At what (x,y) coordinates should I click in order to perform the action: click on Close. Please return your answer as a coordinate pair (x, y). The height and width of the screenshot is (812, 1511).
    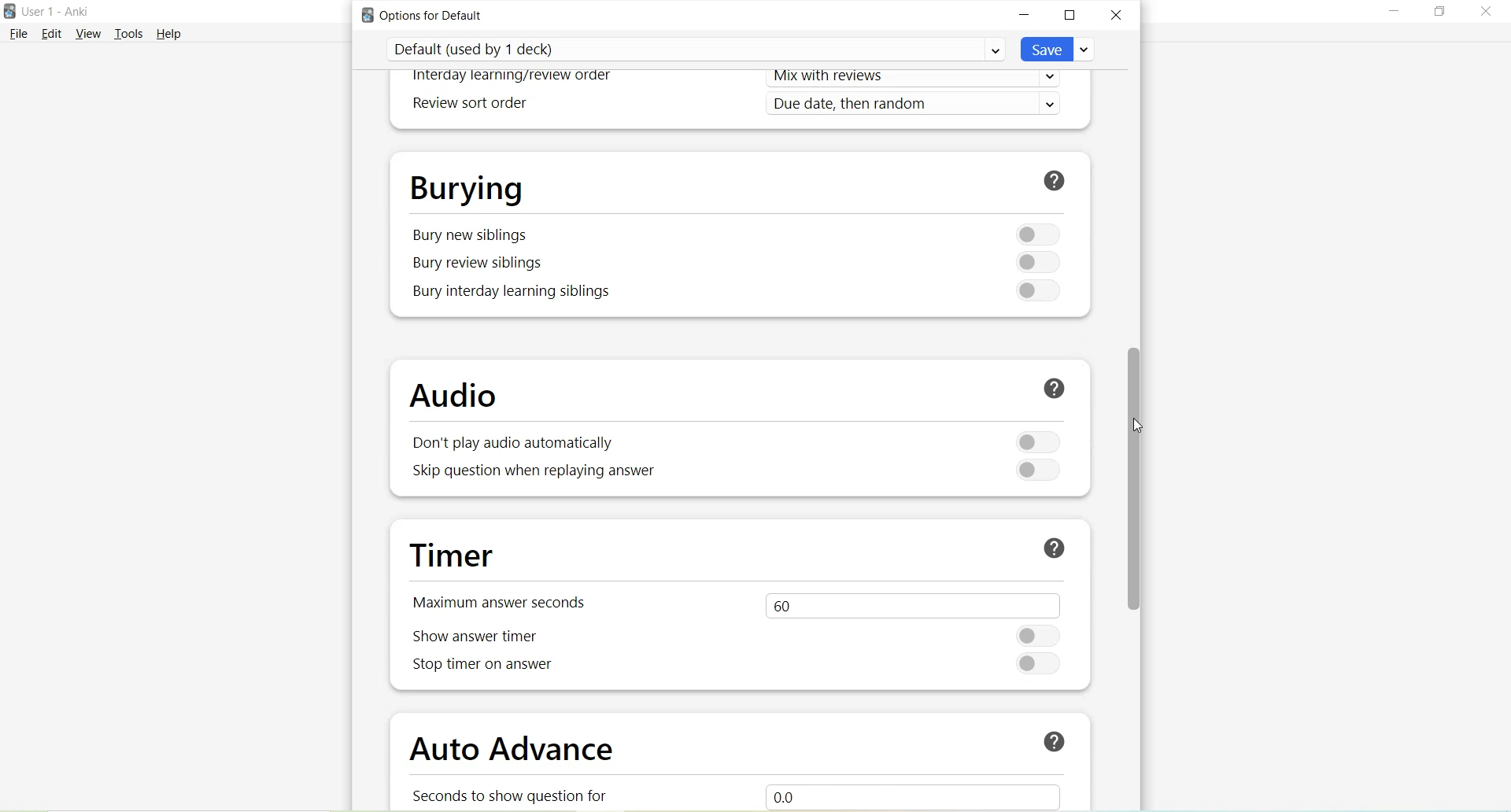
    Looking at the image, I should click on (1116, 14).